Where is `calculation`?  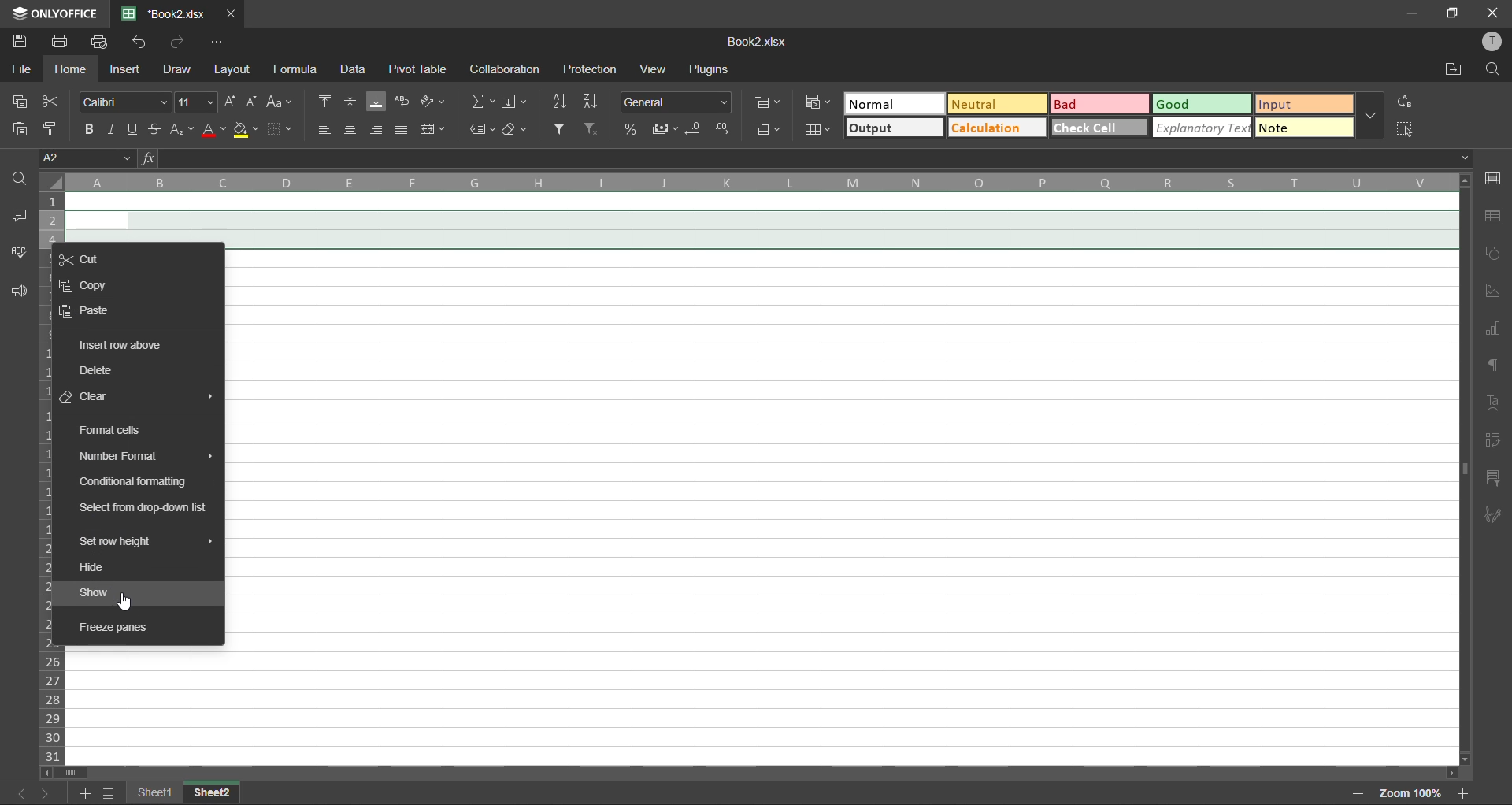 calculation is located at coordinates (995, 128).